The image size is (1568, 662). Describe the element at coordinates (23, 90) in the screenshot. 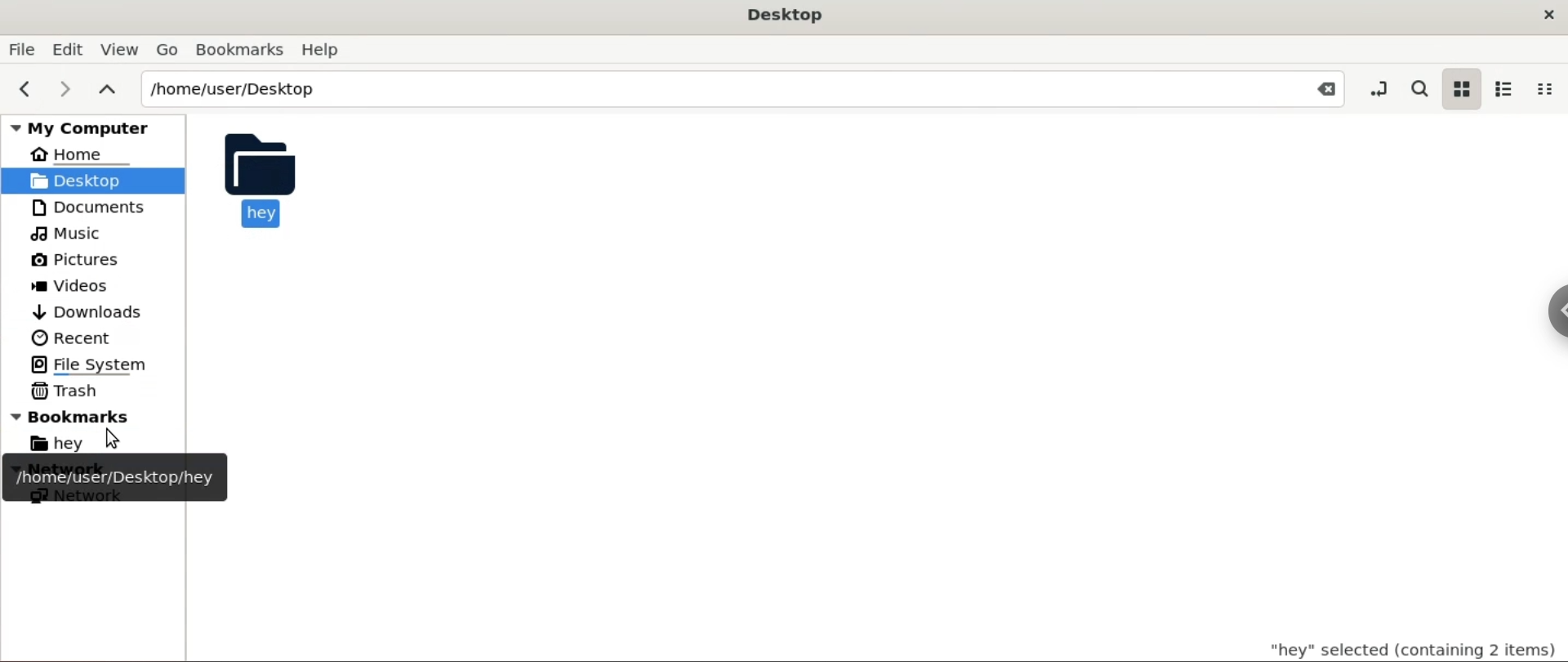

I see `previous` at that location.